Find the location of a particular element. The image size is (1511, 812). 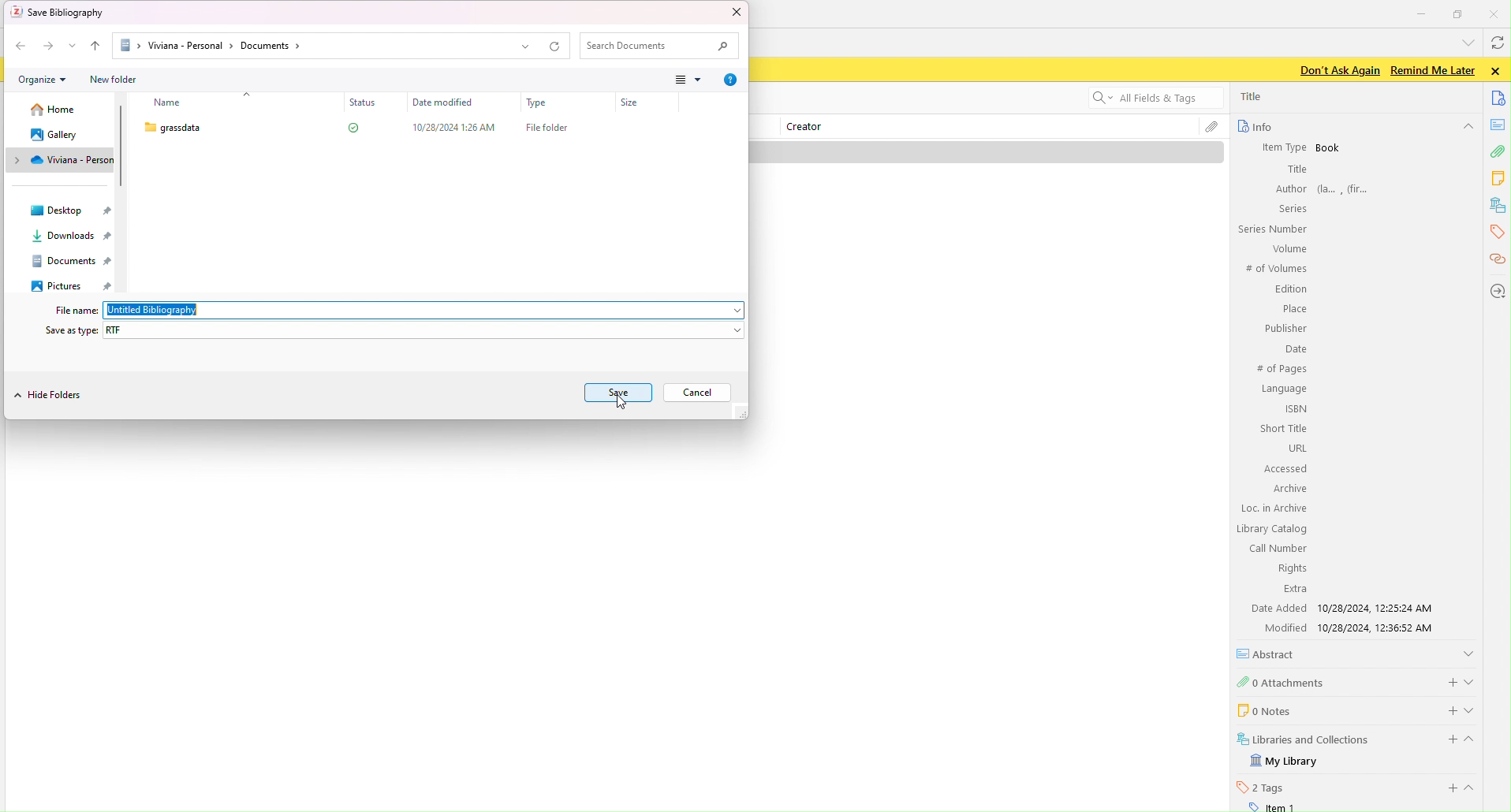

Path is located at coordinates (326, 47).